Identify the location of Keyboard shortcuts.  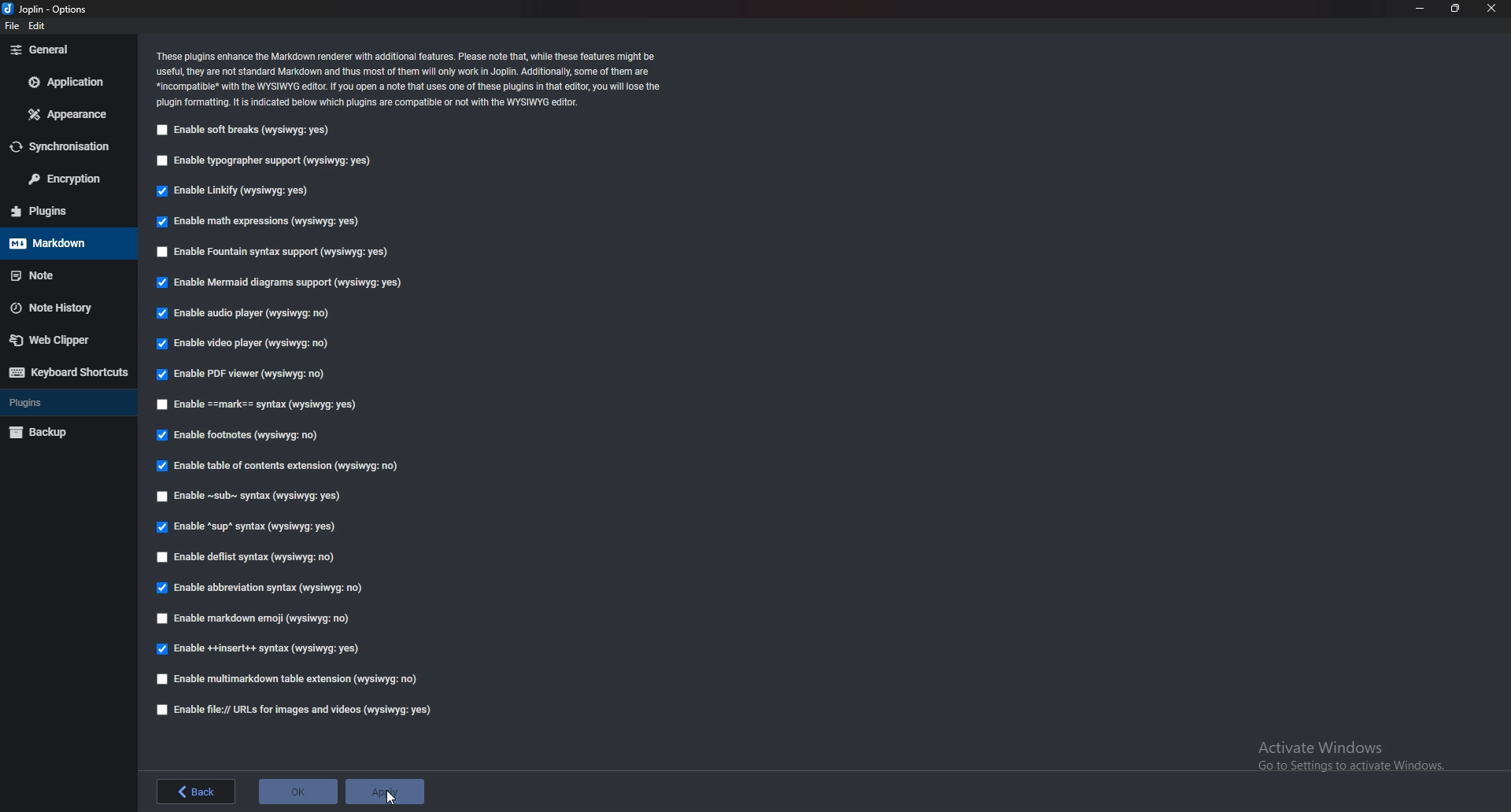
(69, 372).